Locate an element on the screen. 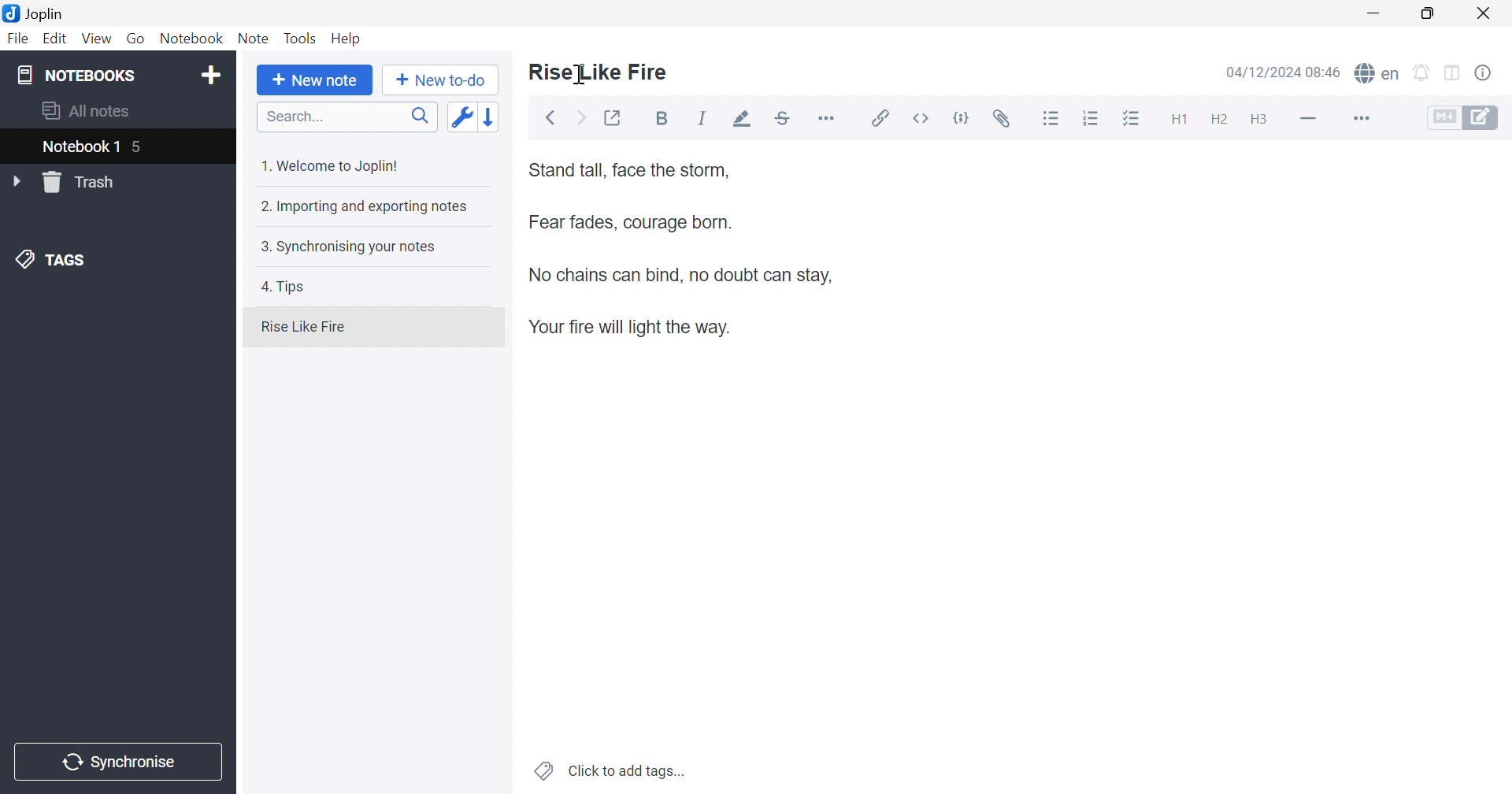  Fear fades, courage born. is located at coordinates (630, 221).